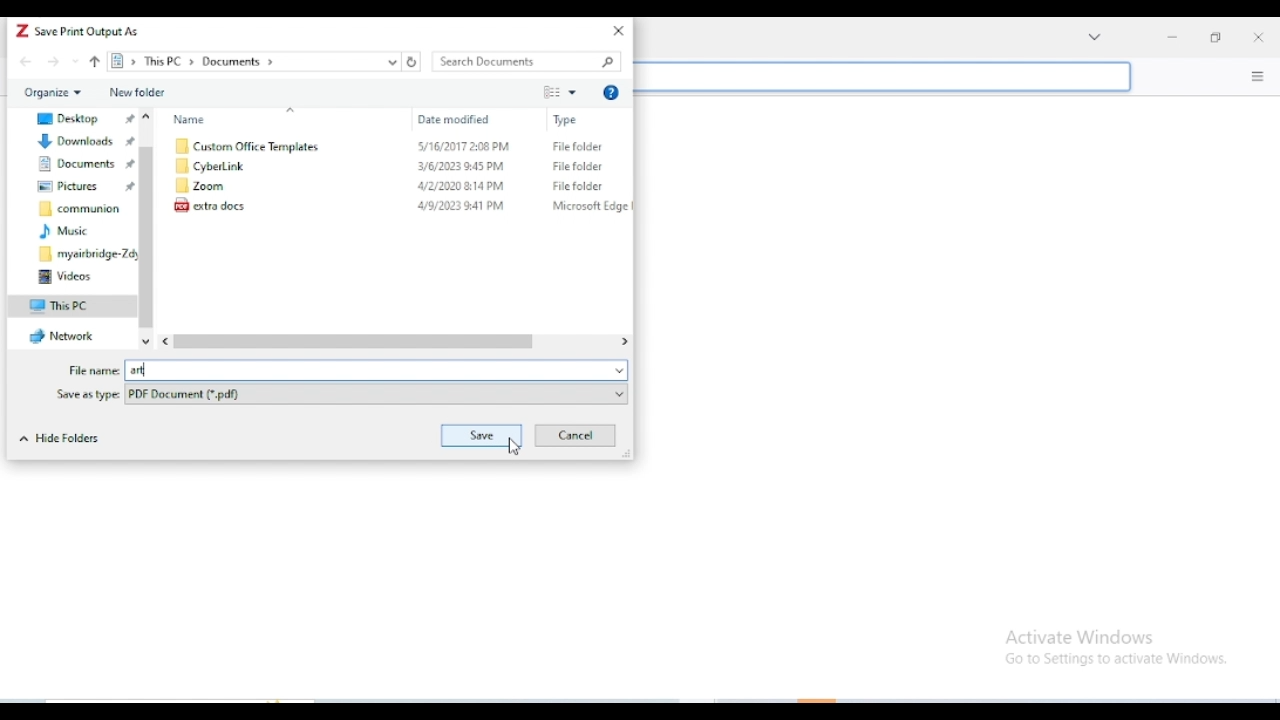 The image size is (1280, 720). What do you see at coordinates (62, 439) in the screenshot?
I see `hide folders` at bounding box center [62, 439].